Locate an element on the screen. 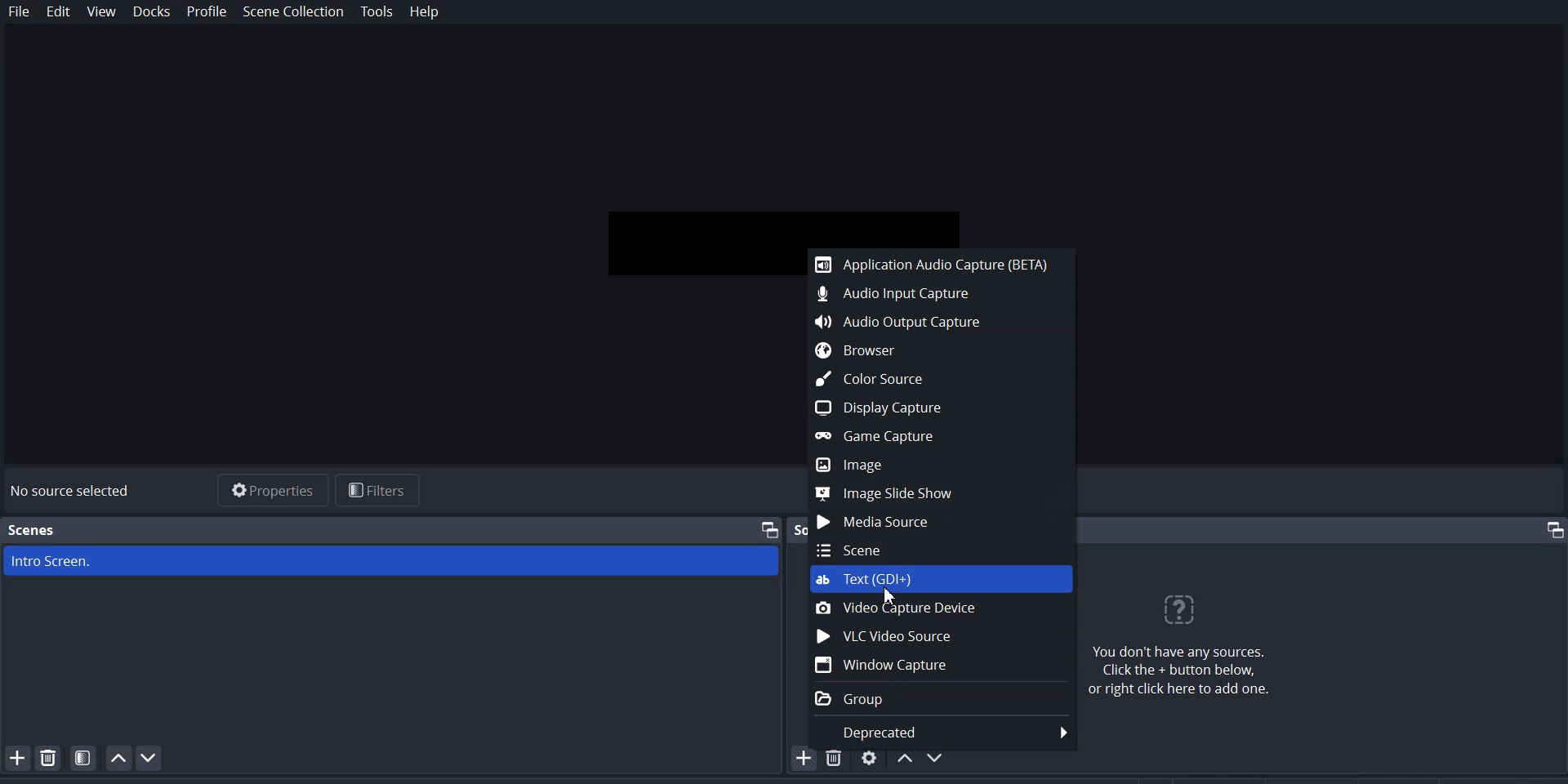 This screenshot has height=784, width=1568. File is located at coordinates (20, 12).